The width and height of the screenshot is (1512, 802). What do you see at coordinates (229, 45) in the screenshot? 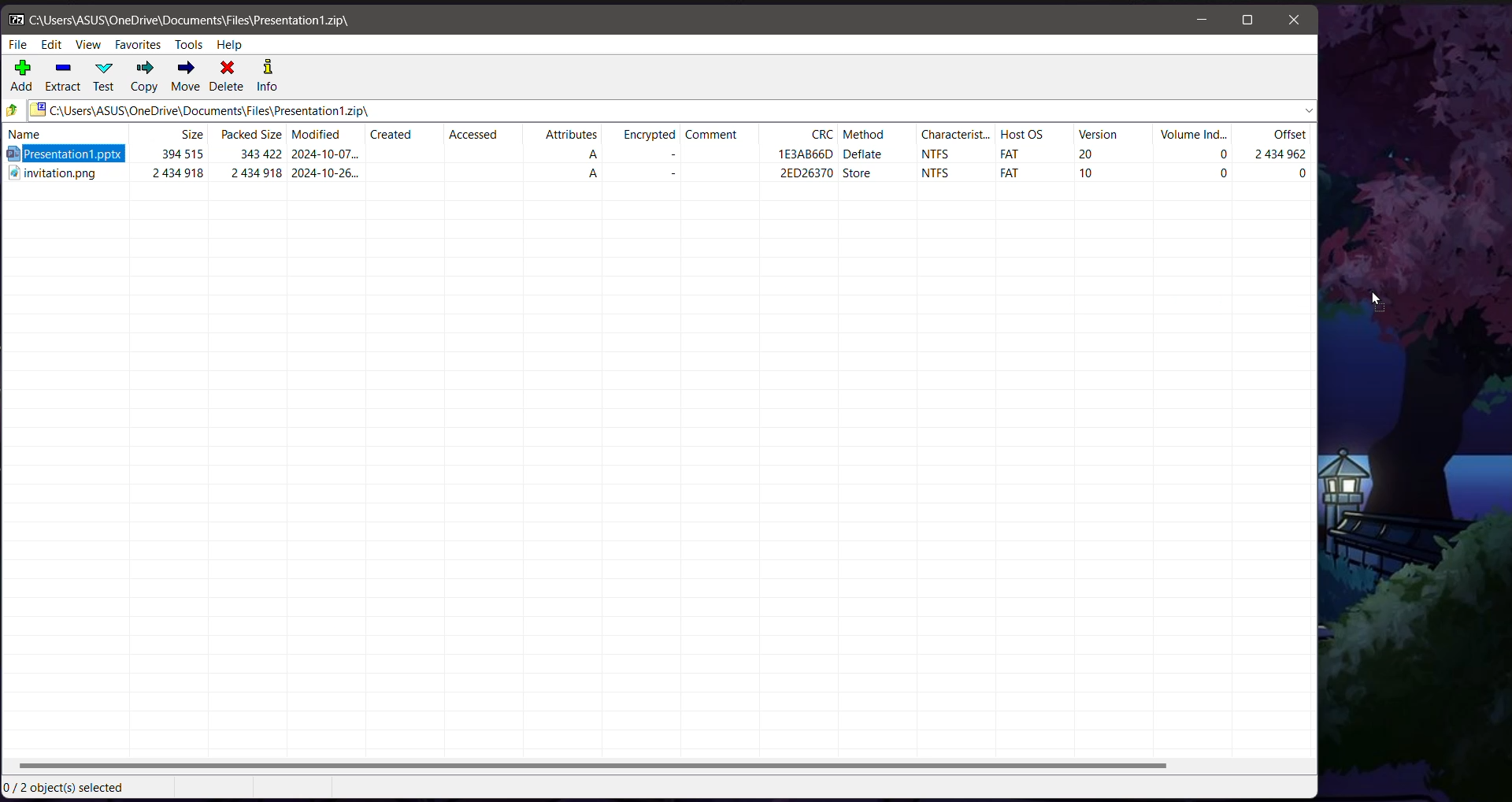
I see `Help` at bounding box center [229, 45].